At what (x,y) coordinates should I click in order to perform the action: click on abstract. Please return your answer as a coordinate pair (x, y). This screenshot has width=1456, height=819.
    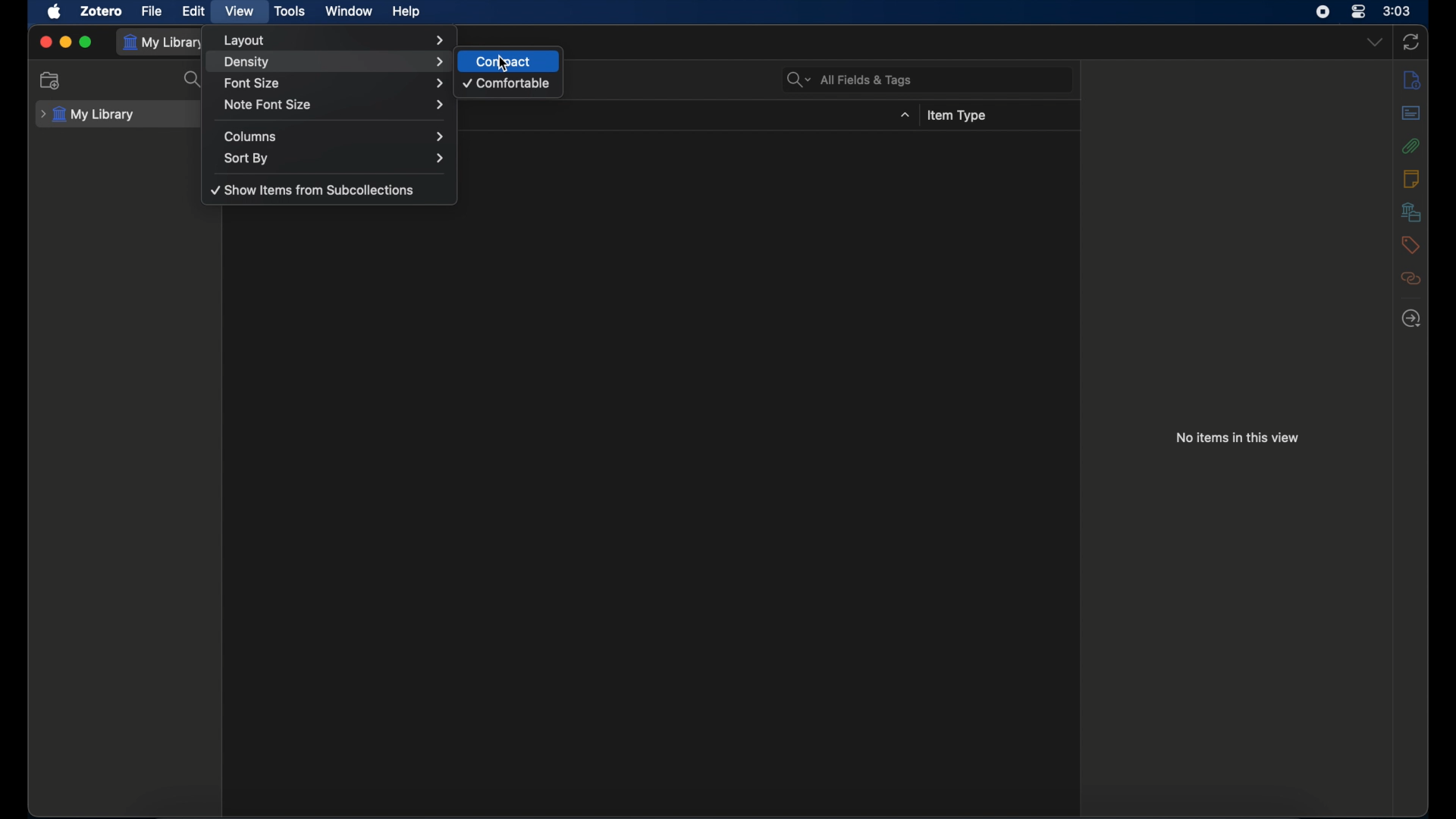
    Looking at the image, I should click on (1411, 112).